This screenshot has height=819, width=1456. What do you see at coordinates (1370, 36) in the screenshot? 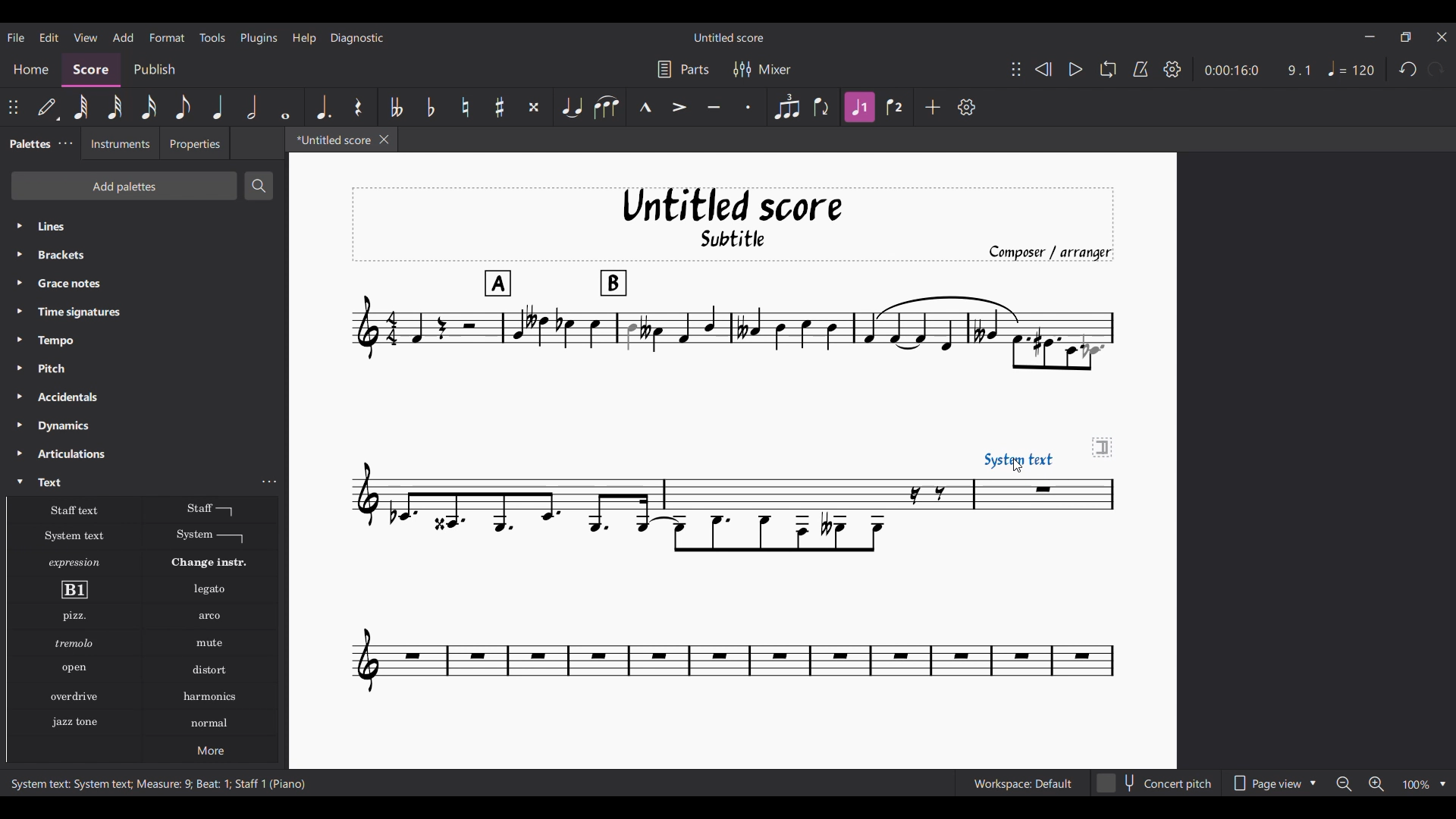
I see `Minimize` at bounding box center [1370, 36].